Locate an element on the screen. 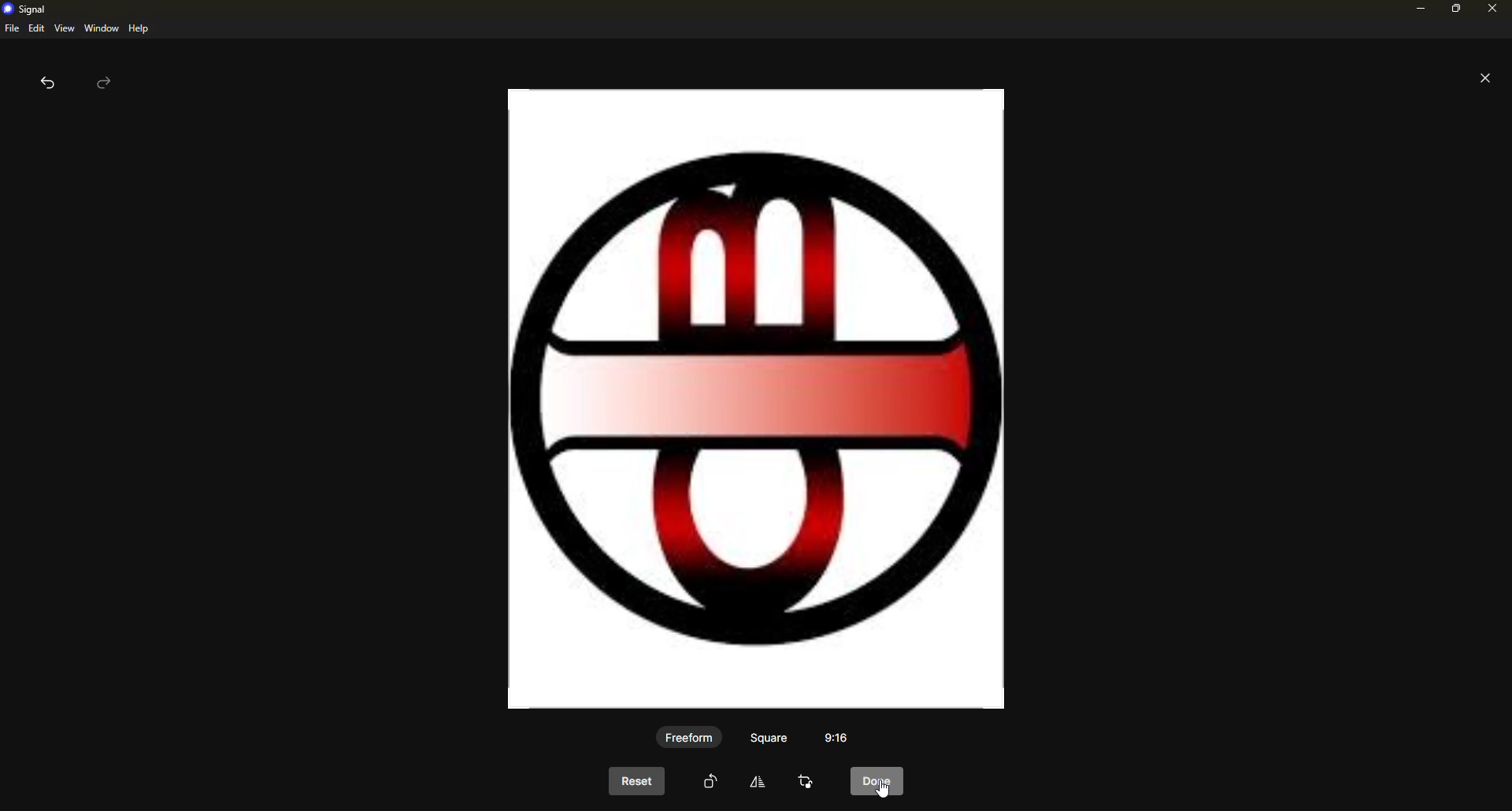  view is located at coordinates (65, 29).